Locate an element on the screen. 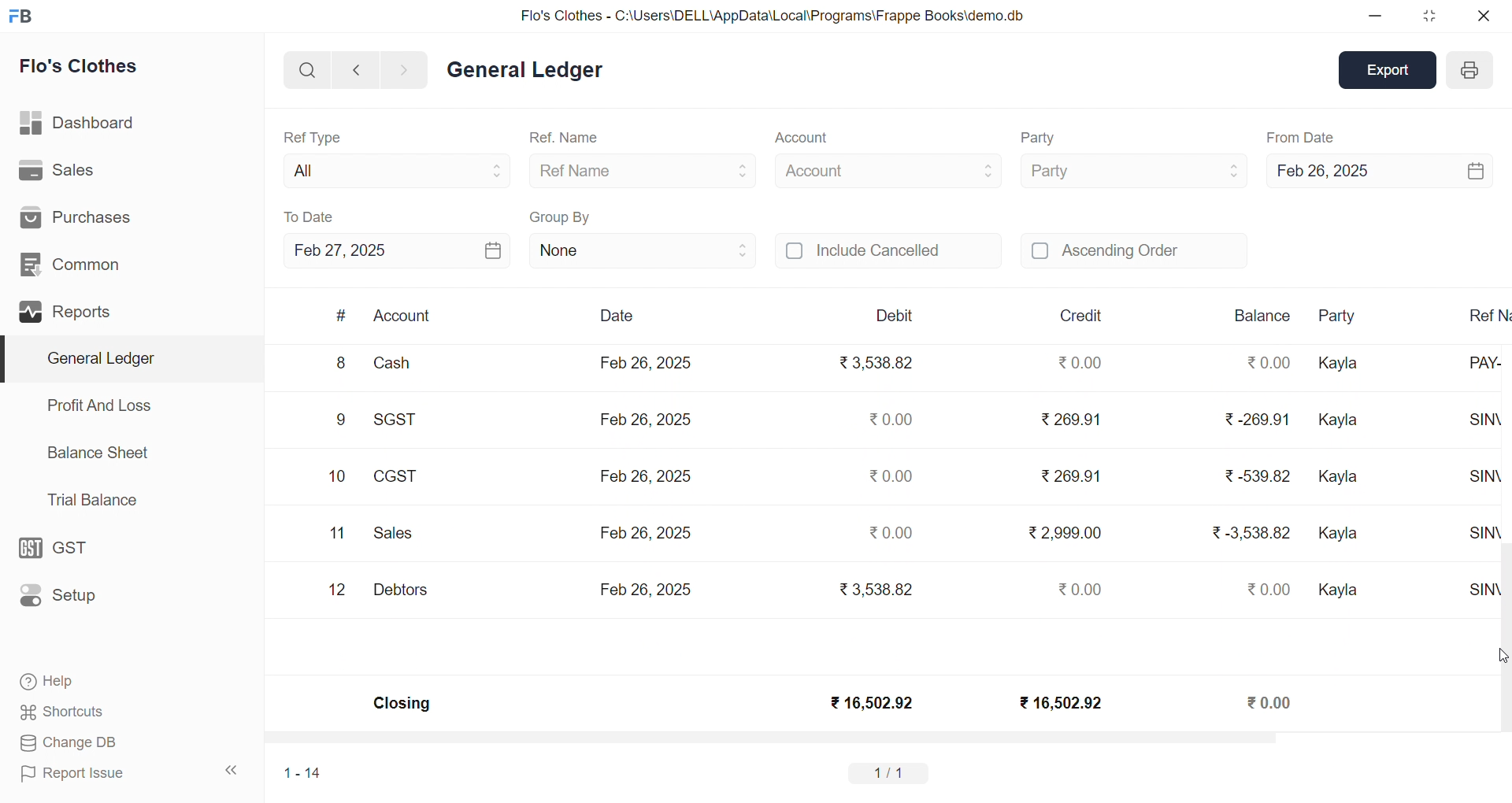 This screenshot has width=1512, height=803. Sales is located at coordinates (397, 535).